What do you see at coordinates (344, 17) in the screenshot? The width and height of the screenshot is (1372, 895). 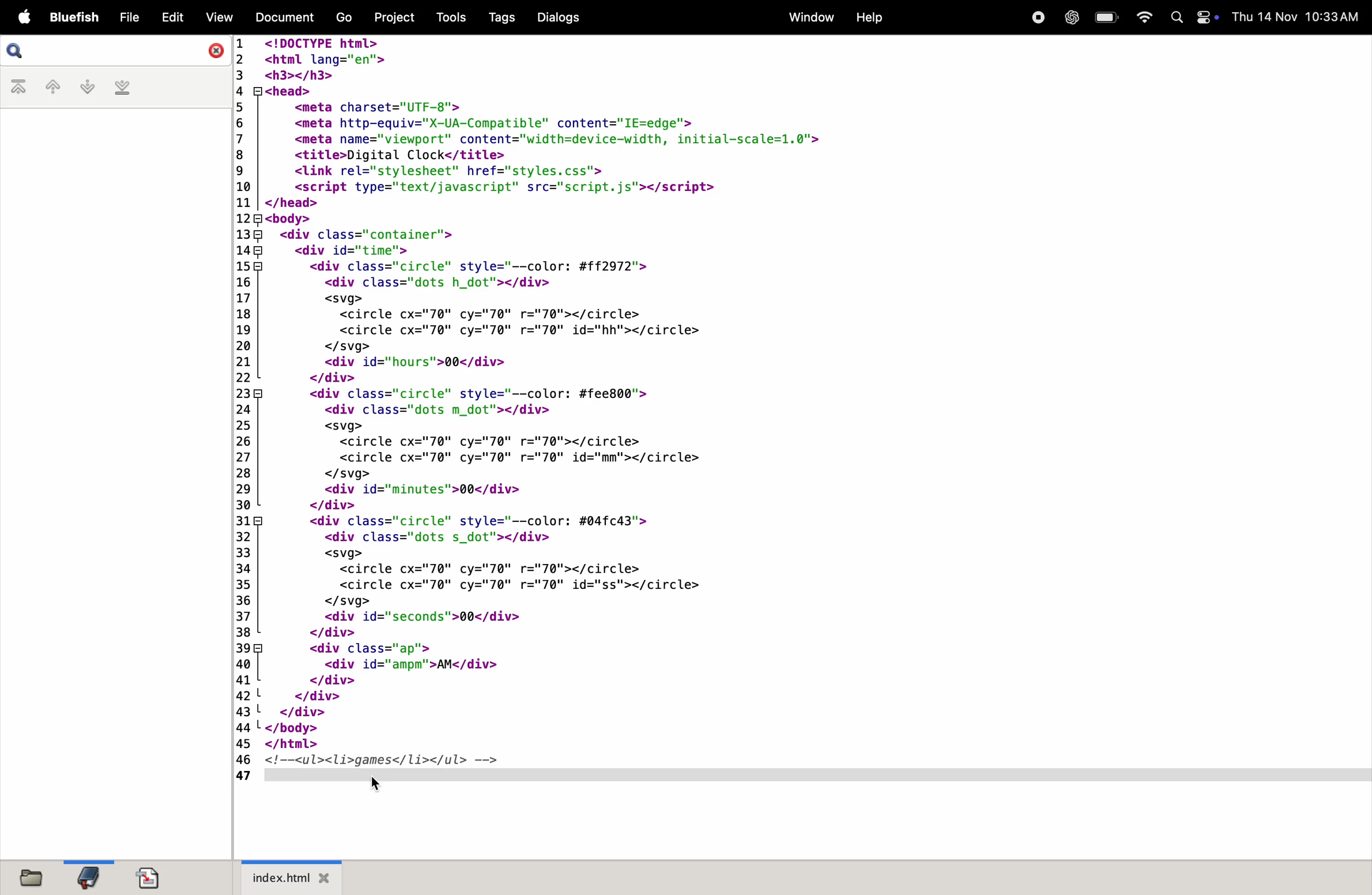 I see `Go` at bounding box center [344, 17].